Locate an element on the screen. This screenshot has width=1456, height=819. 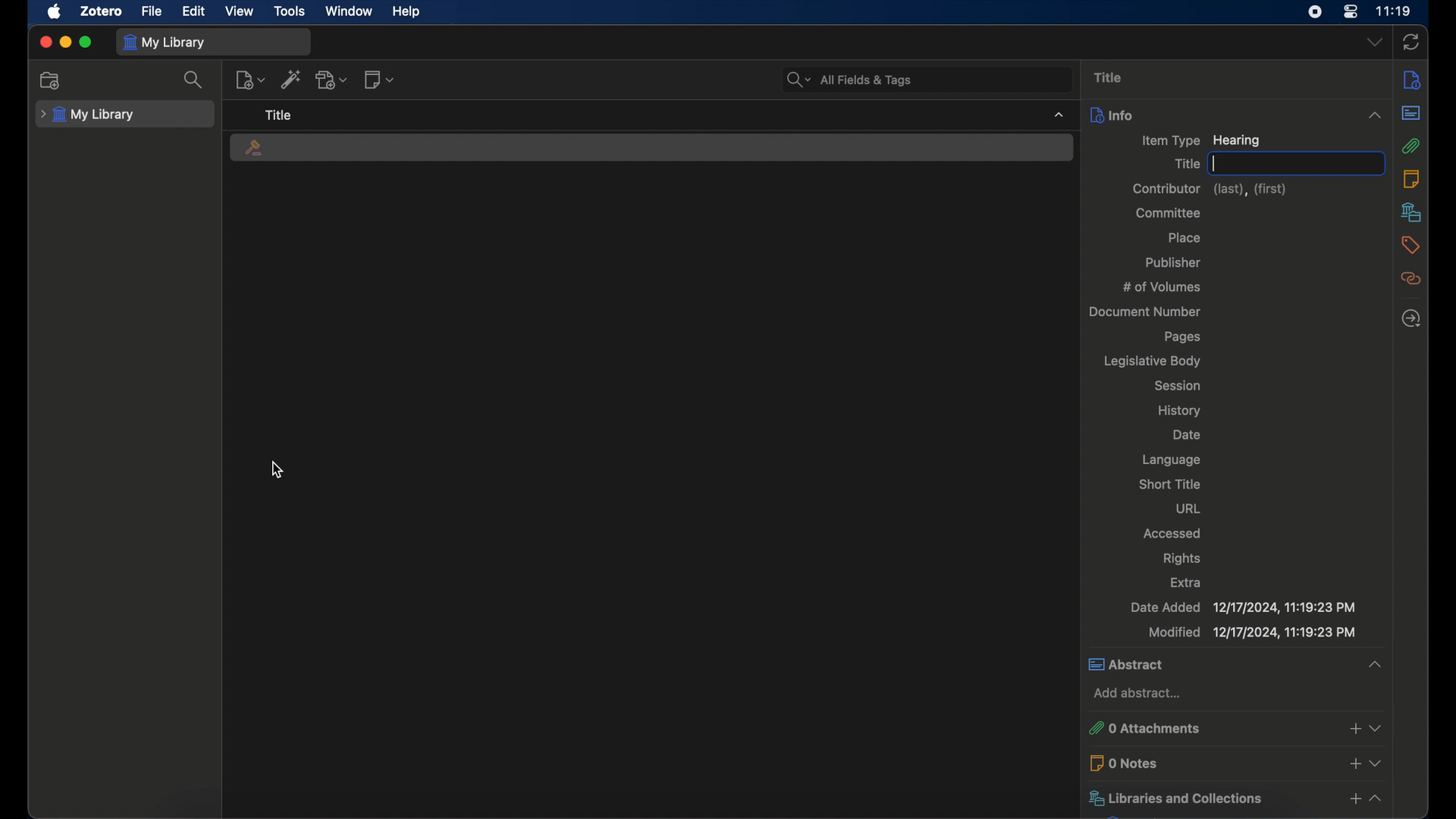
modified is located at coordinates (1251, 634).